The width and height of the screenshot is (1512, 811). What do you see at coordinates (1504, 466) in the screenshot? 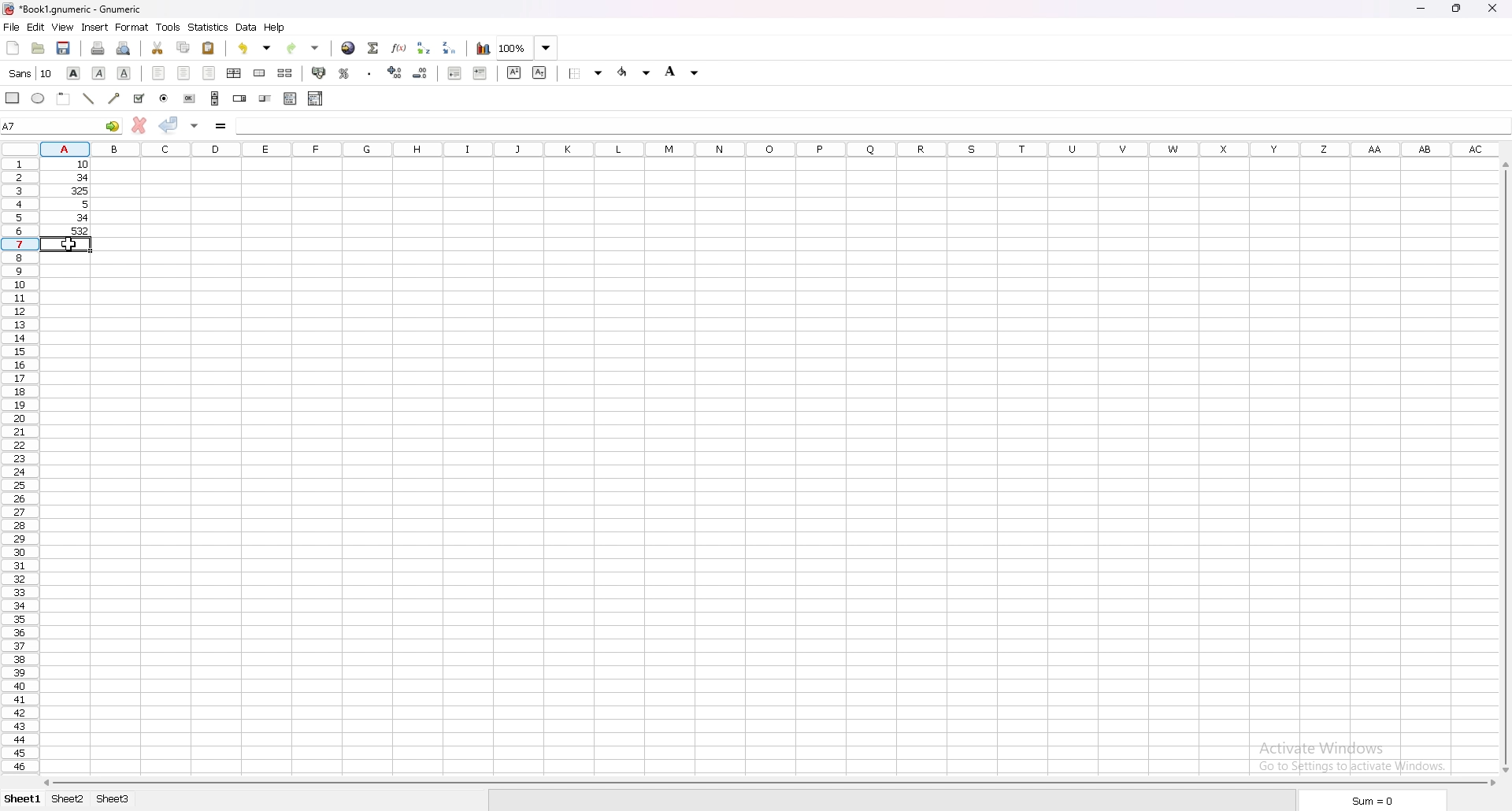
I see `scroll bar` at bounding box center [1504, 466].